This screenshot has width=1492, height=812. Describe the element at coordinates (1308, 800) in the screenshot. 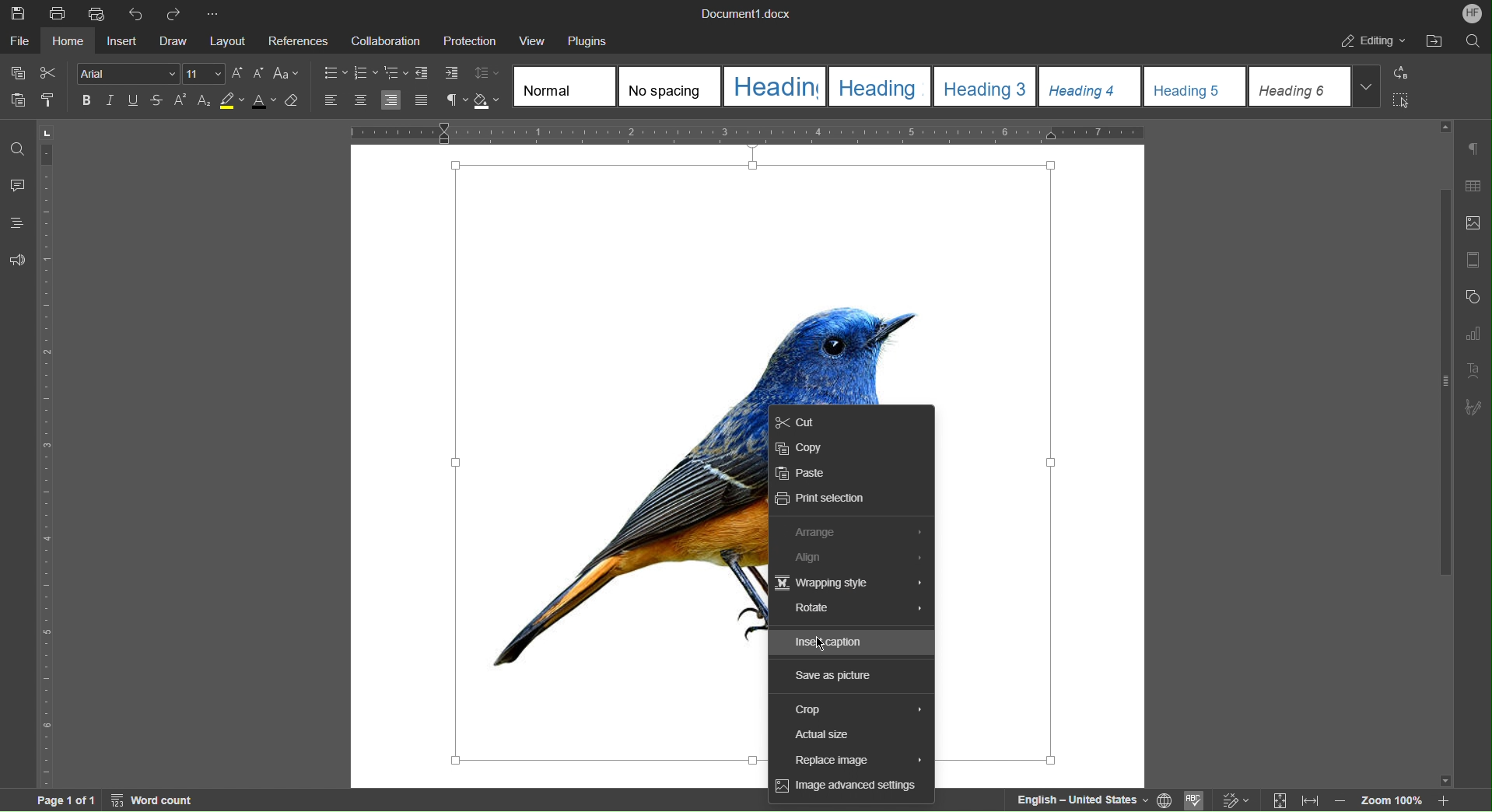

I see `Fit to width` at that location.